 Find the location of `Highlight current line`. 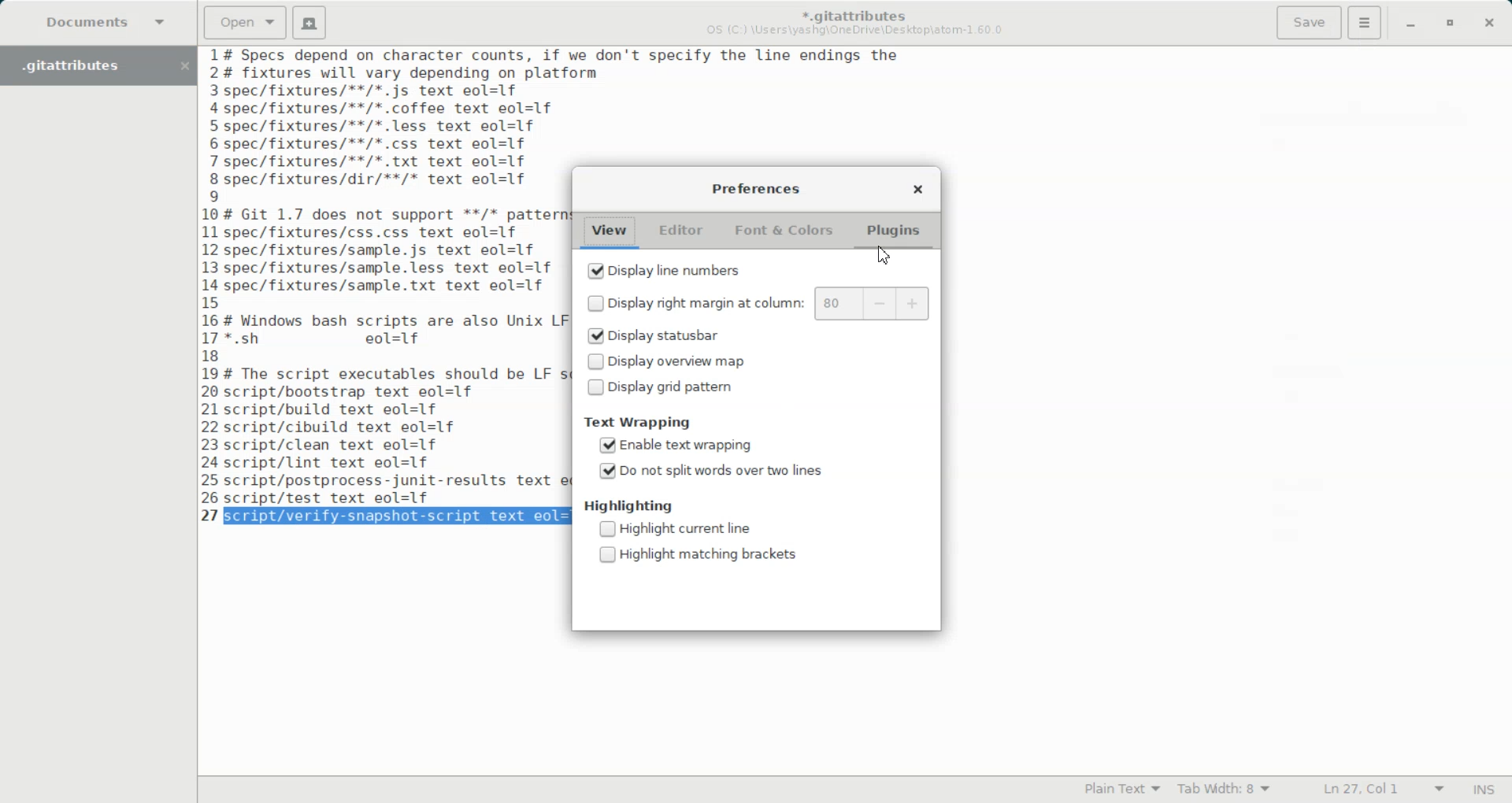

Highlight current line is located at coordinates (674, 530).